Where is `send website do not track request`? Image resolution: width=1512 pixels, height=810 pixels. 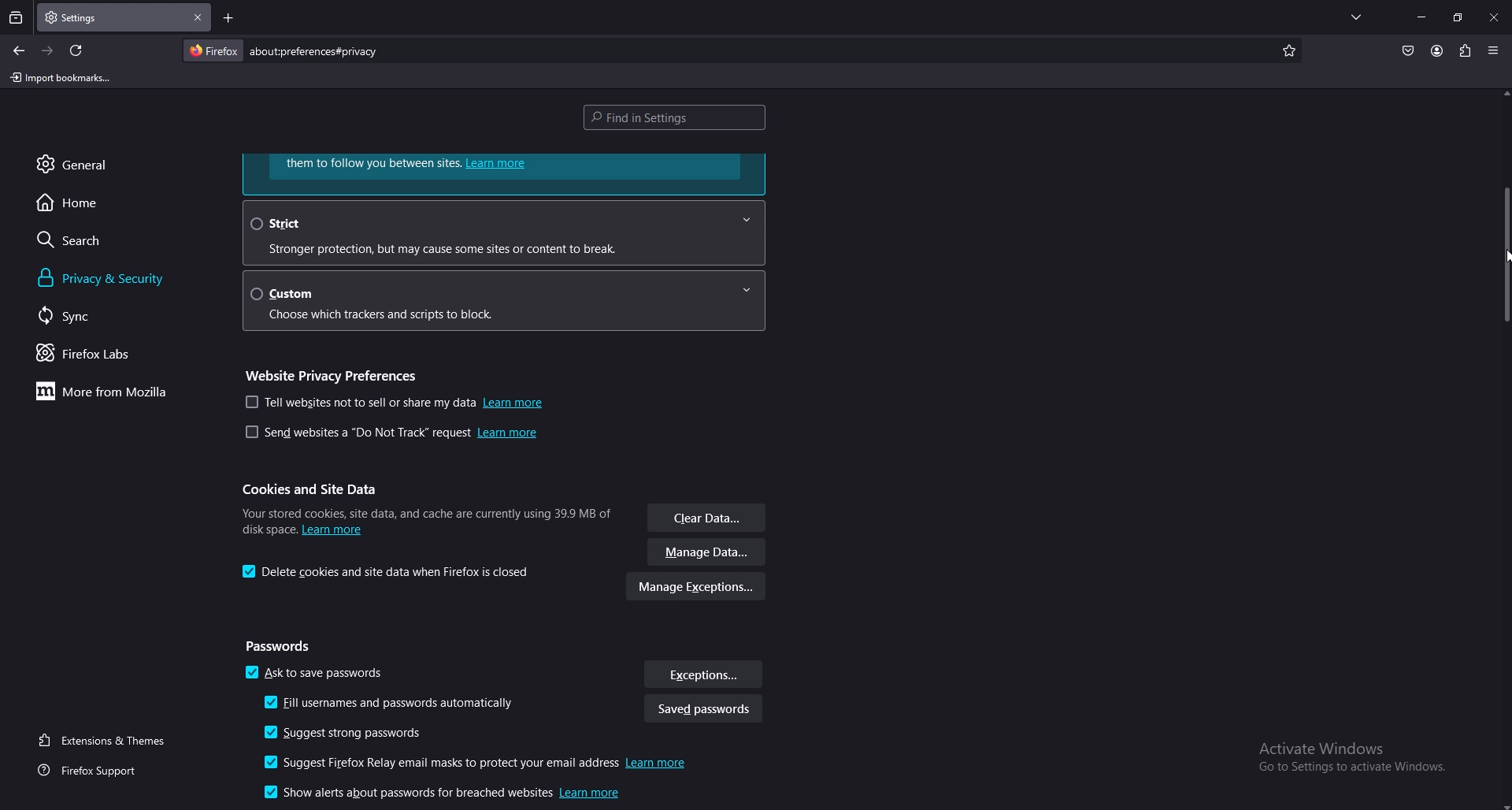 send website do not track request is located at coordinates (391, 435).